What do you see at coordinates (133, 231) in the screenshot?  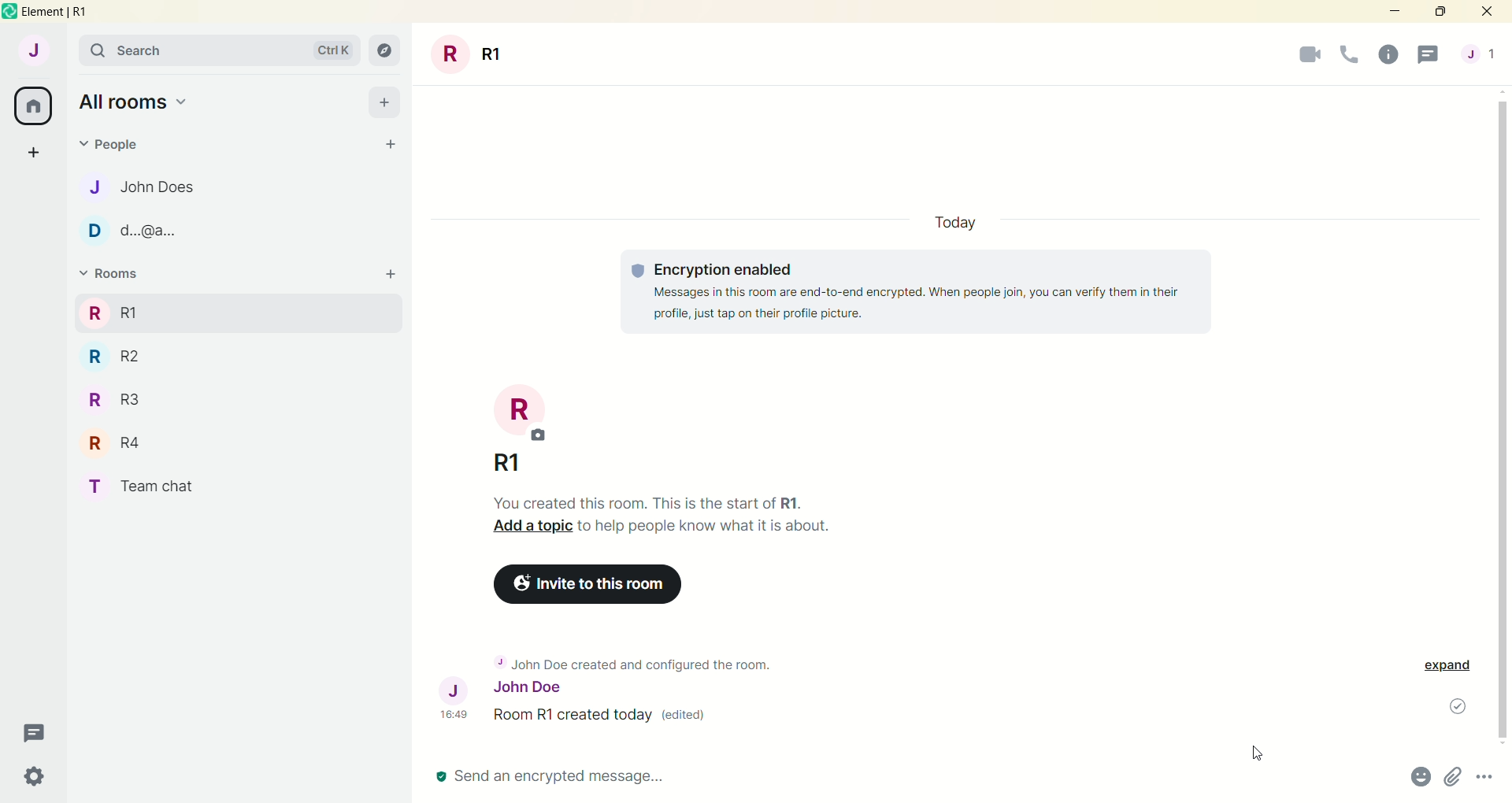 I see `D d.@a.` at bounding box center [133, 231].